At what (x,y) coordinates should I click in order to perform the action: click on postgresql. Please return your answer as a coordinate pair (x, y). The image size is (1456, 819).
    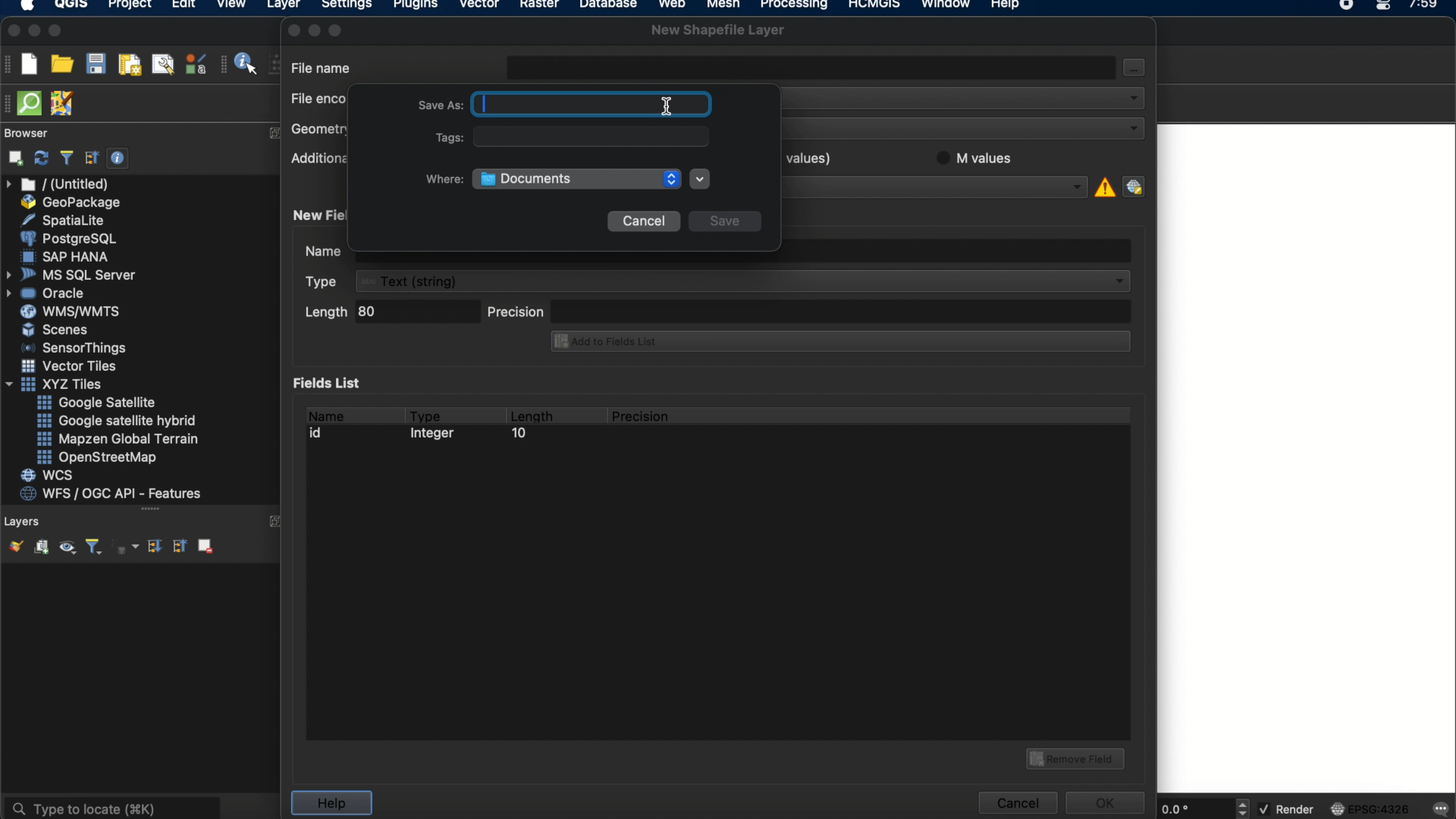
    Looking at the image, I should click on (68, 239).